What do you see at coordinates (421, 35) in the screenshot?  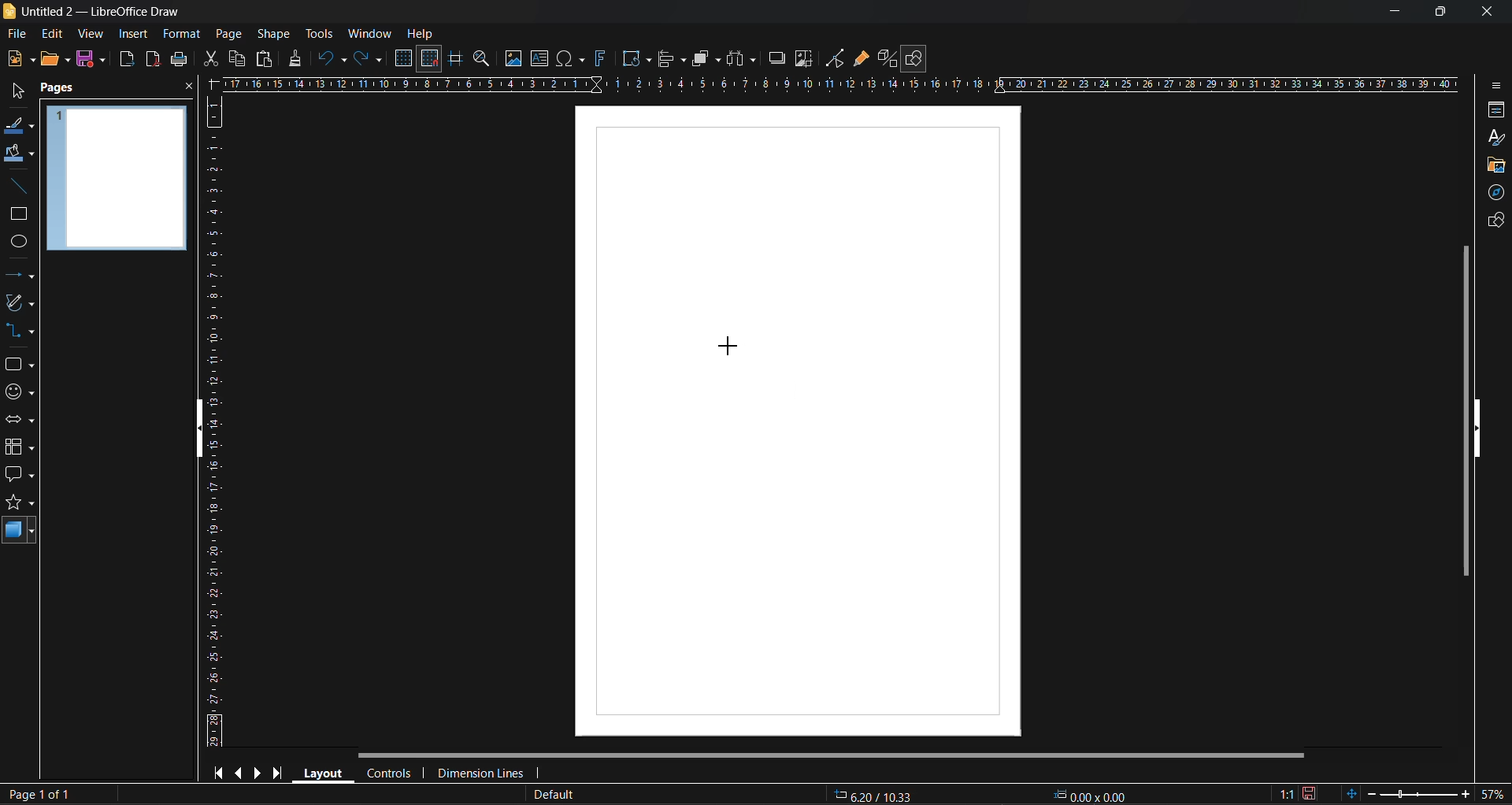 I see `help` at bounding box center [421, 35].